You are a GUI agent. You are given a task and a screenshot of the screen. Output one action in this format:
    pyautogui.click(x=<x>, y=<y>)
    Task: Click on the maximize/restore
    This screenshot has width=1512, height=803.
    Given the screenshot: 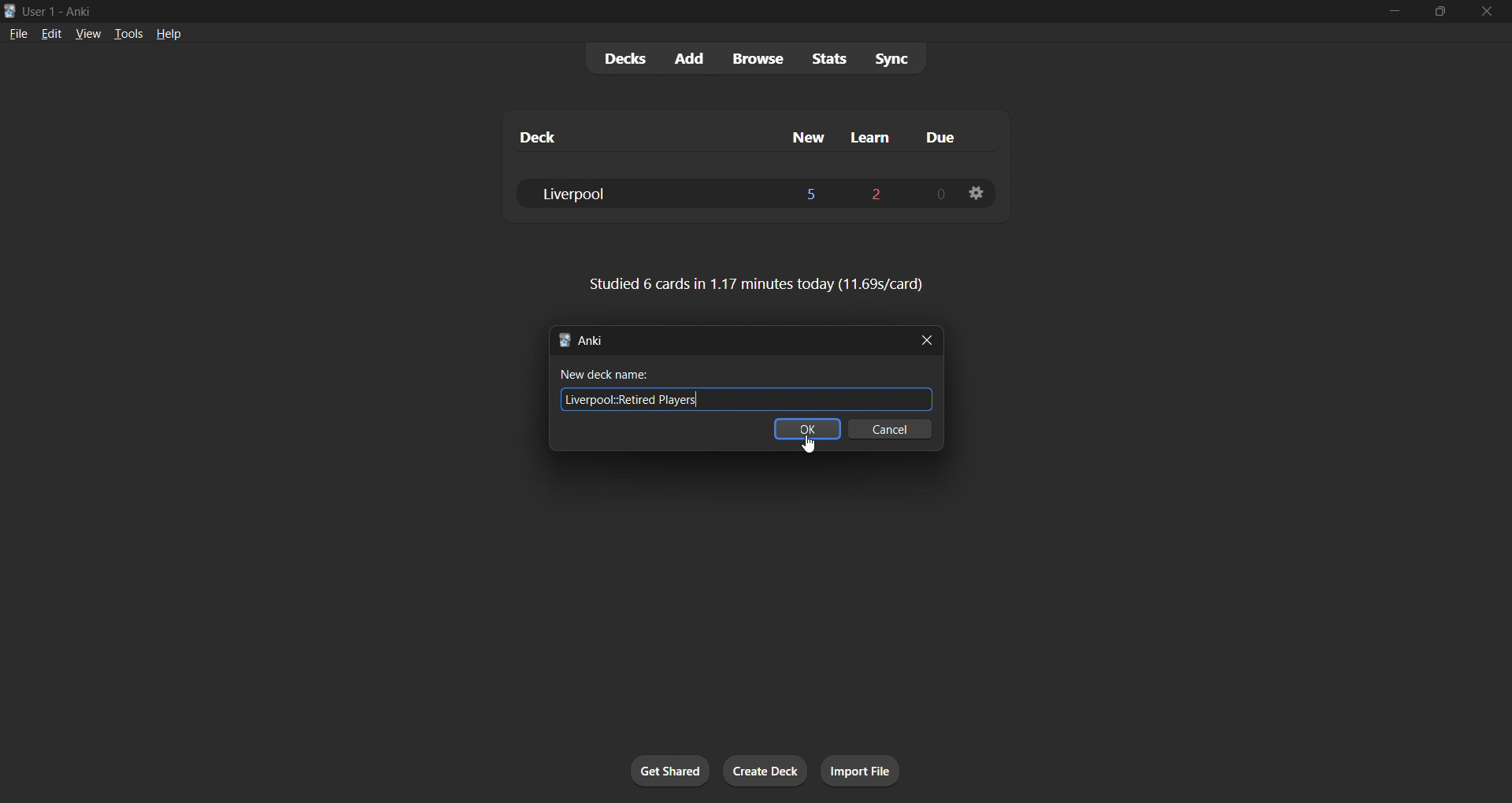 What is the action you would take?
    pyautogui.click(x=1432, y=13)
    